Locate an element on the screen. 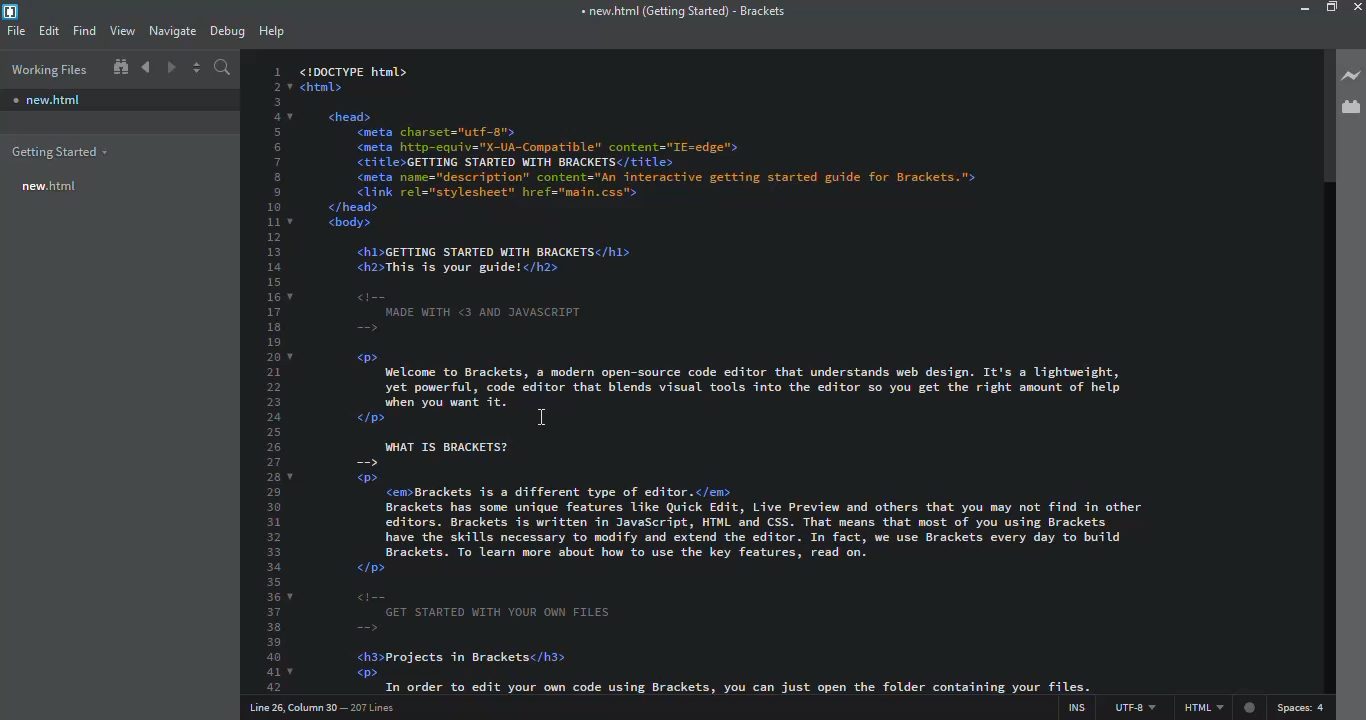 The image size is (1366, 720). ins is located at coordinates (1075, 705).